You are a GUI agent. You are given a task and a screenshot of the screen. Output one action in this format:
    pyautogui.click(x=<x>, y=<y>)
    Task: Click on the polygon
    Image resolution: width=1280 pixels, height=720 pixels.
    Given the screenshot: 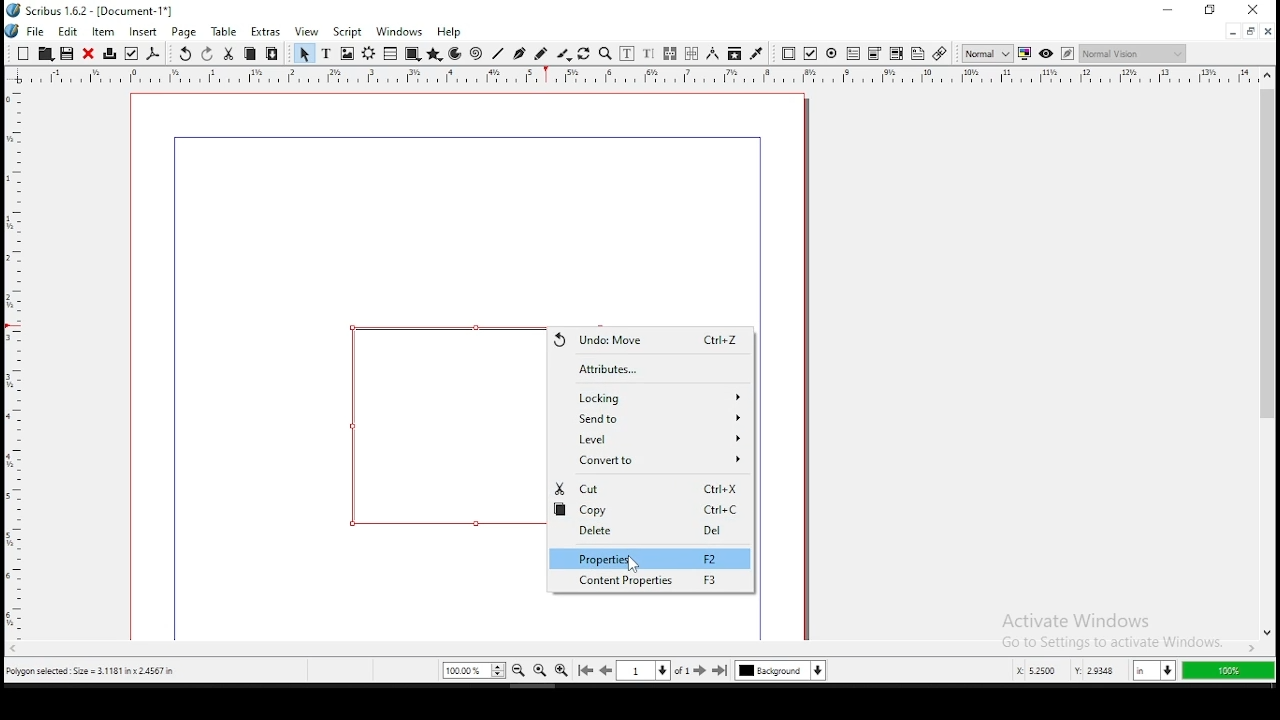 What is the action you would take?
    pyautogui.click(x=435, y=54)
    